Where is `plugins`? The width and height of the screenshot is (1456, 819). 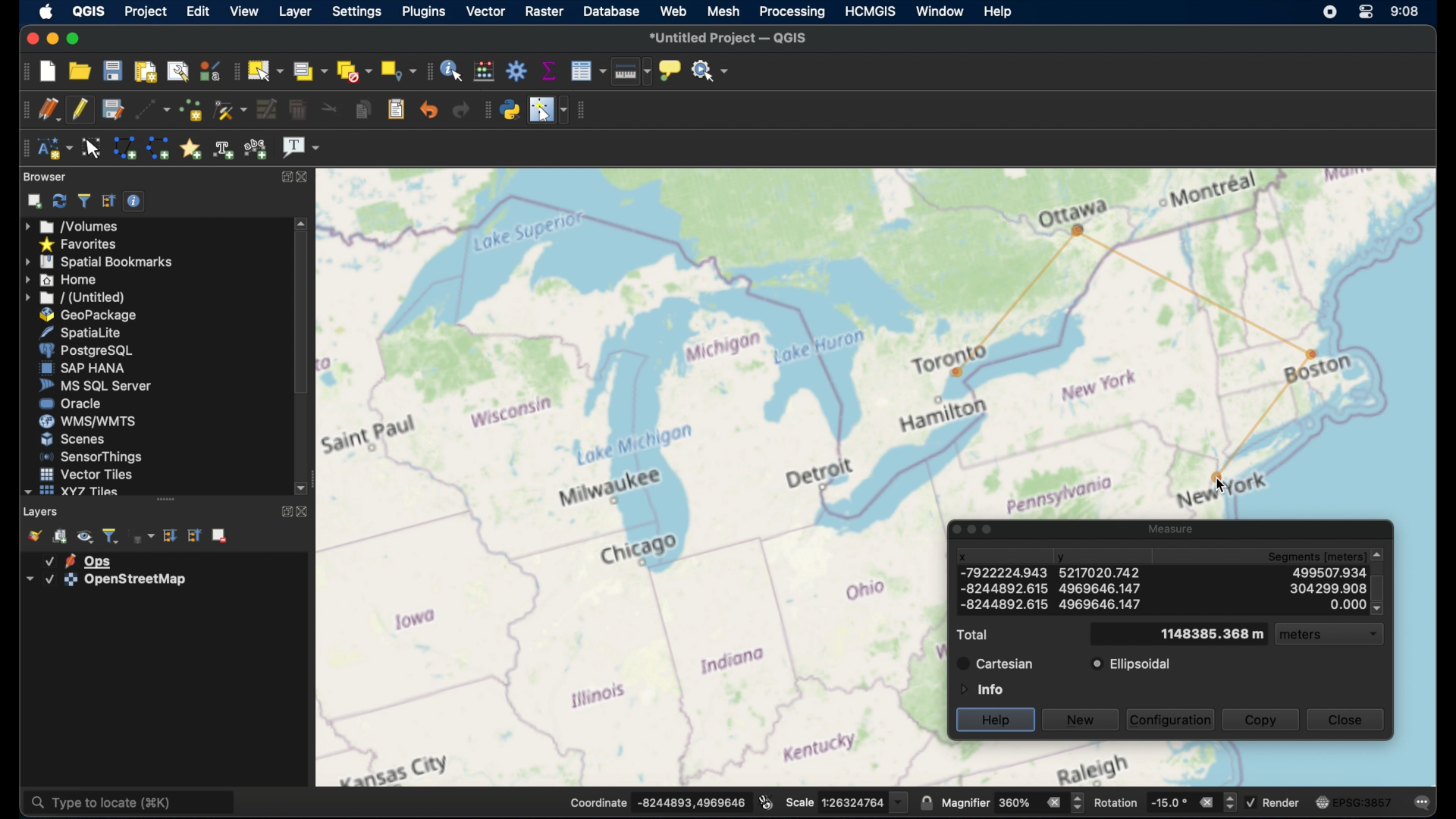 plugins is located at coordinates (422, 12).